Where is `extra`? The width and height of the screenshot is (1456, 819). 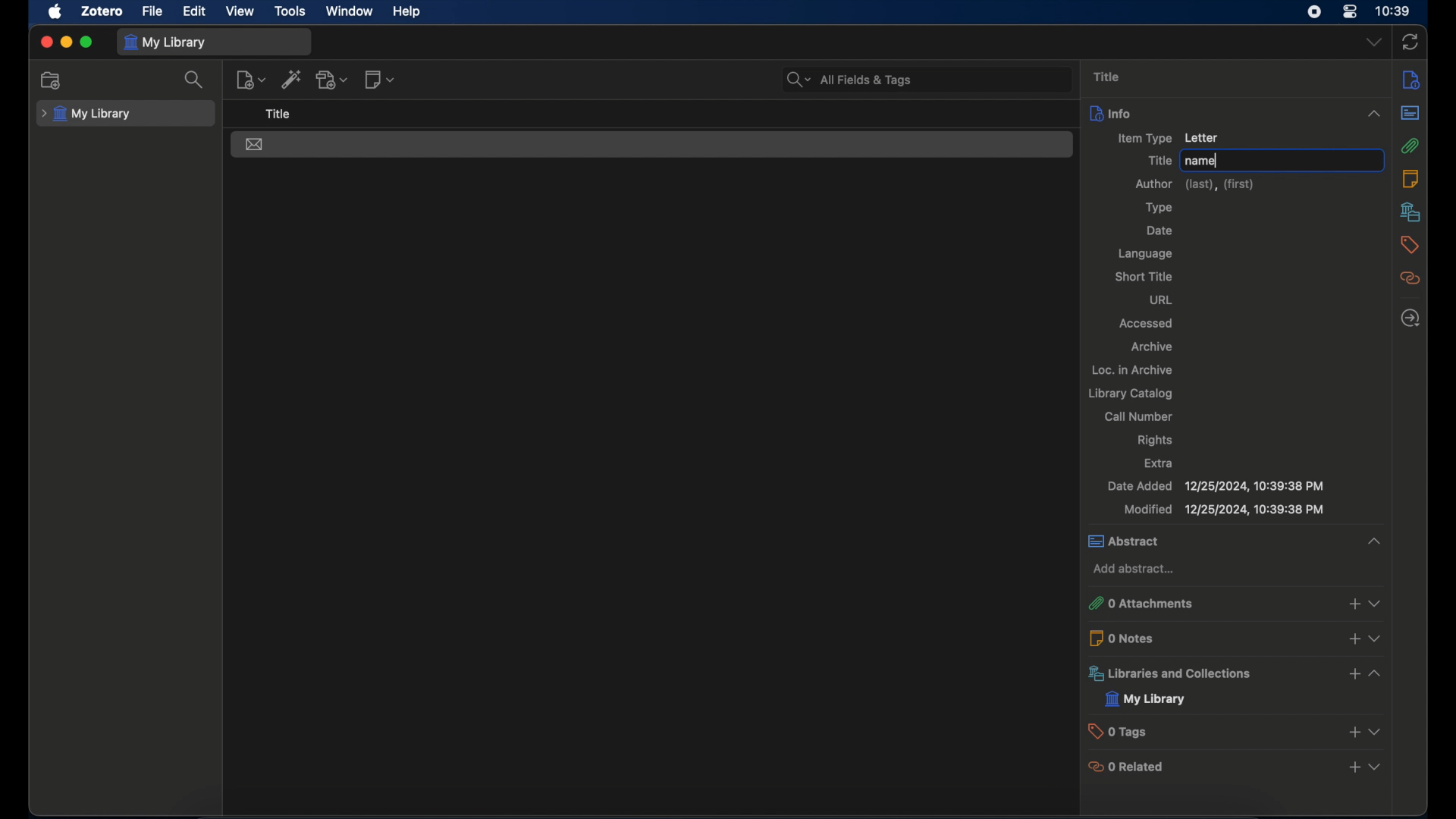
extra is located at coordinates (1161, 463).